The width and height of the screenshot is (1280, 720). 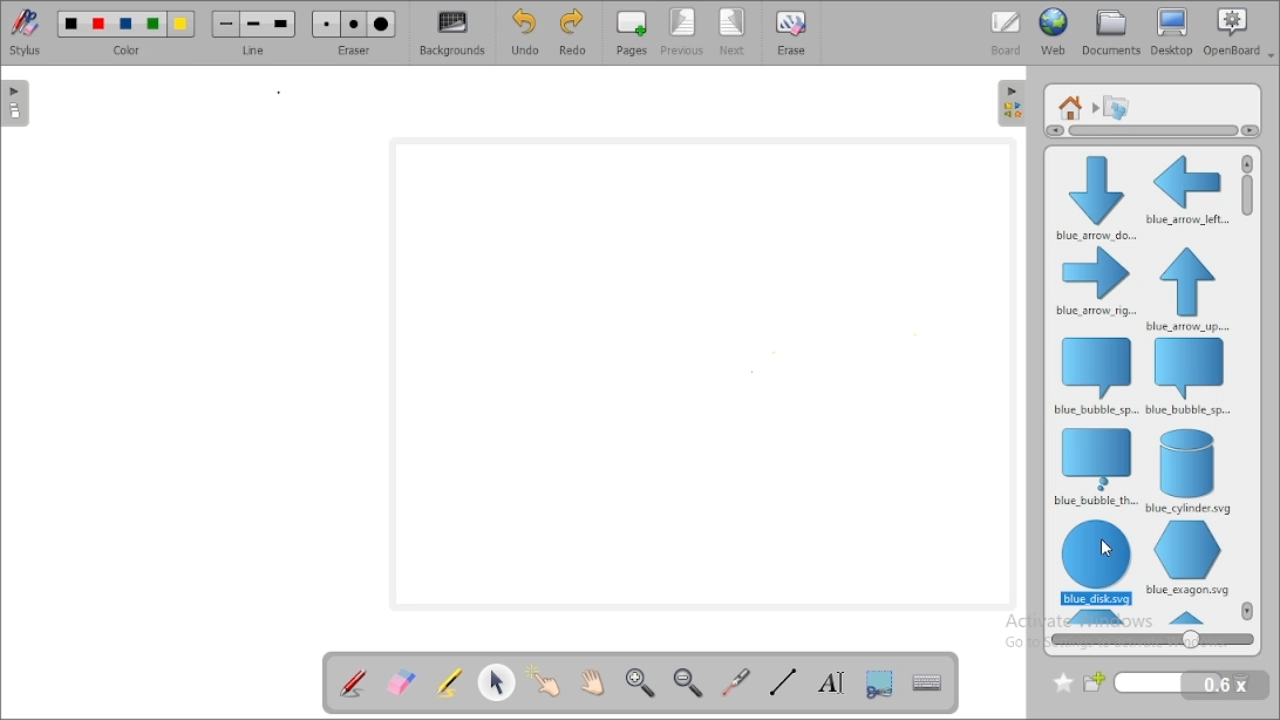 I want to click on vertical scroll bar, so click(x=1248, y=208).